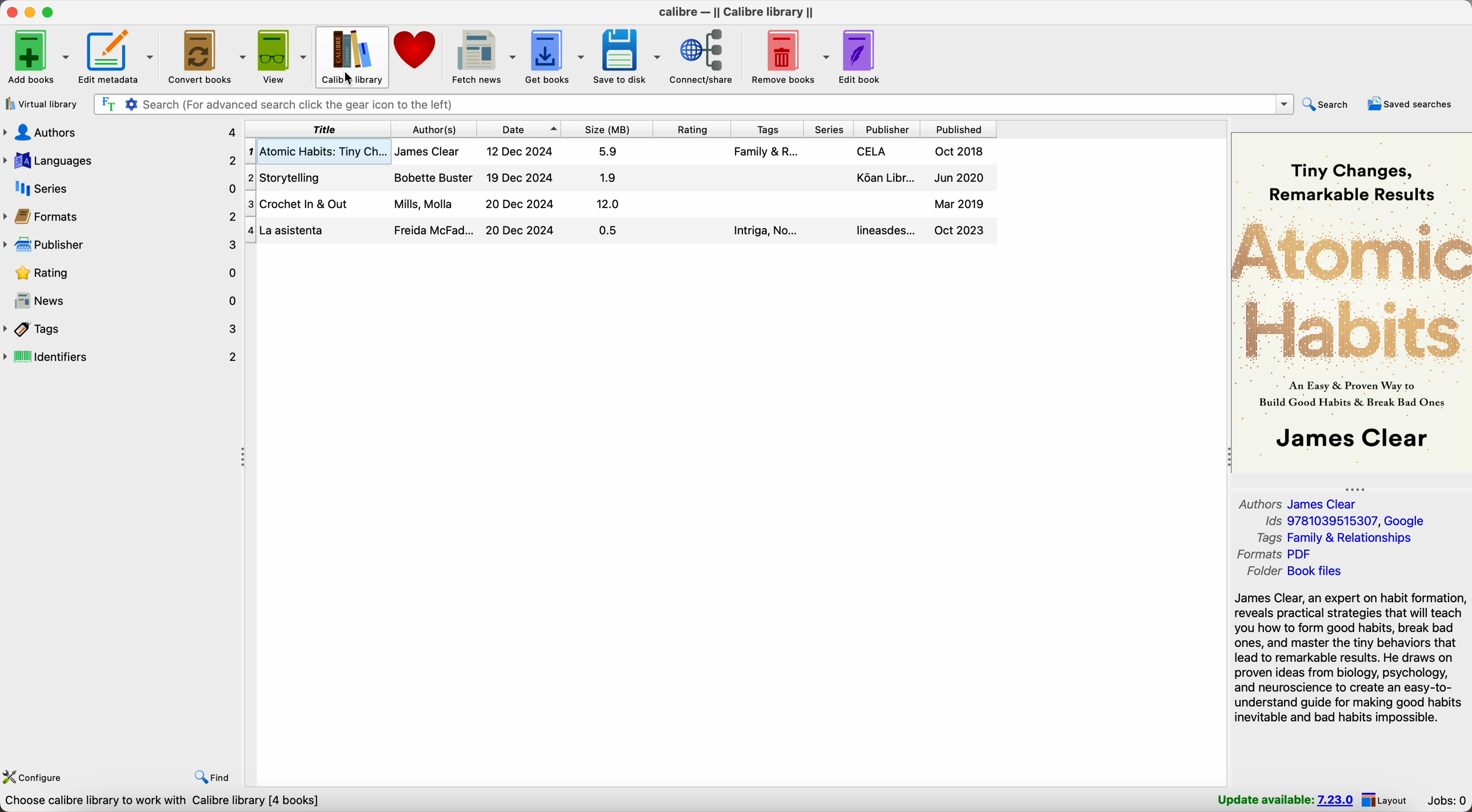 This screenshot has width=1472, height=812. I want to click on languages, so click(122, 161).